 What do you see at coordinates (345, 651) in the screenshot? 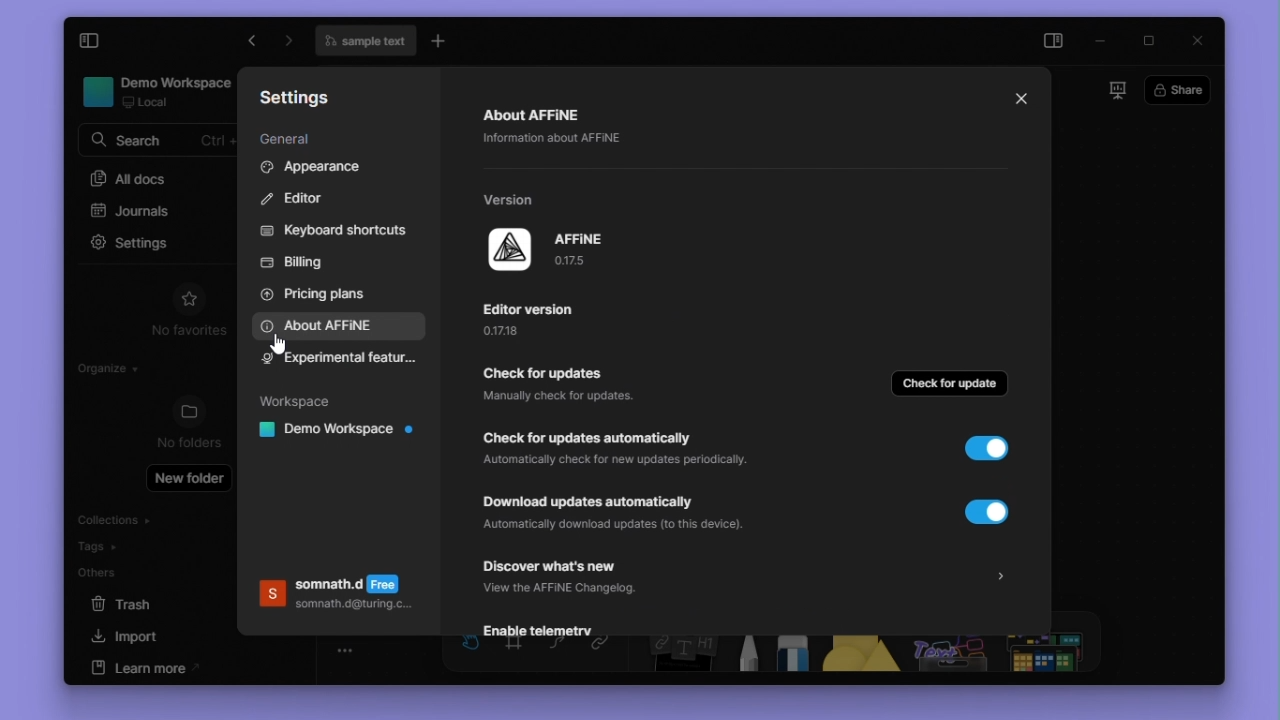
I see `toogle zoom bar` at bounding box center [345, 651].